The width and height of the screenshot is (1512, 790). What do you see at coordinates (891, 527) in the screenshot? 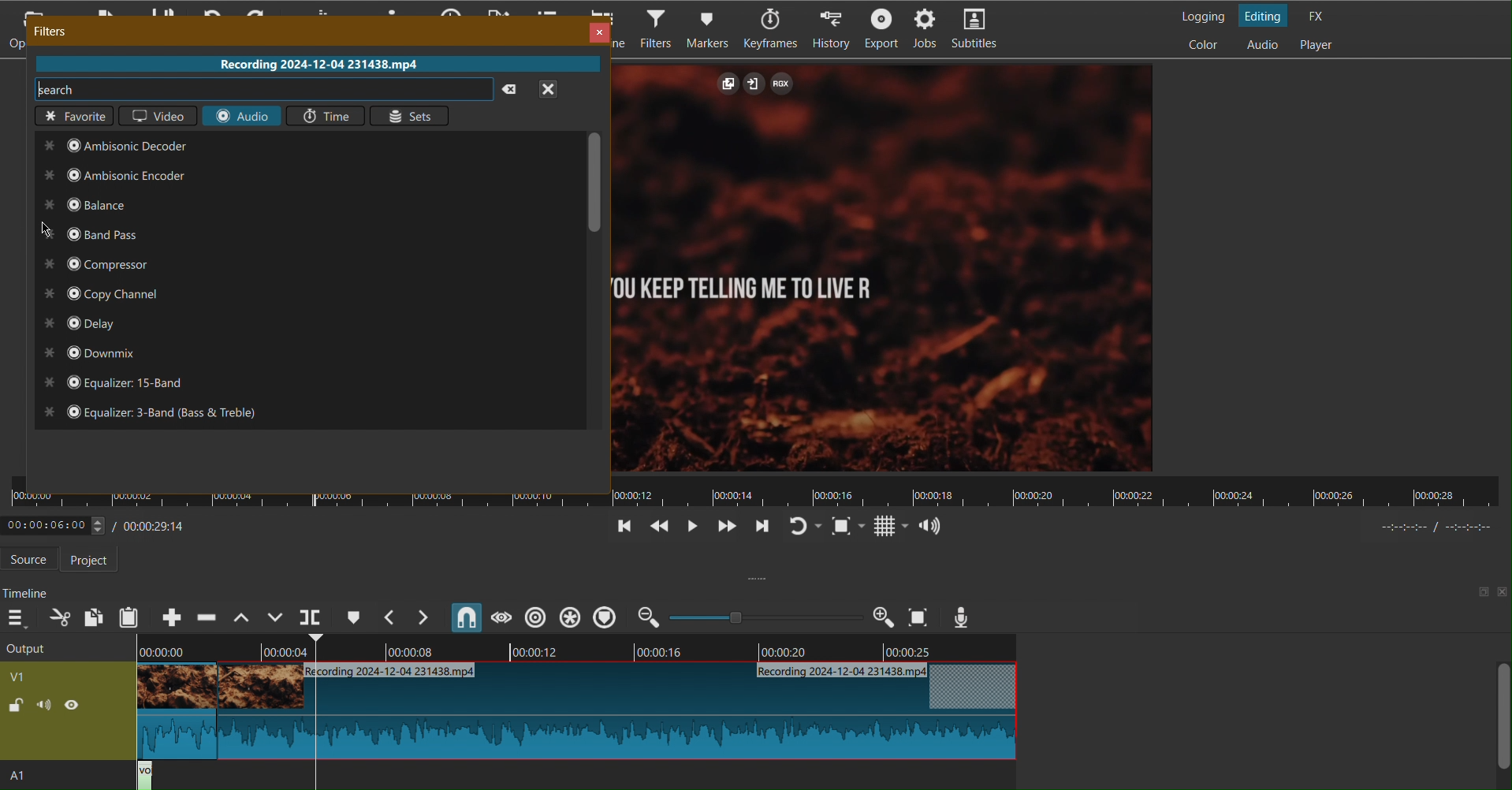
I see `Grid` at bounding box center [891, 527].